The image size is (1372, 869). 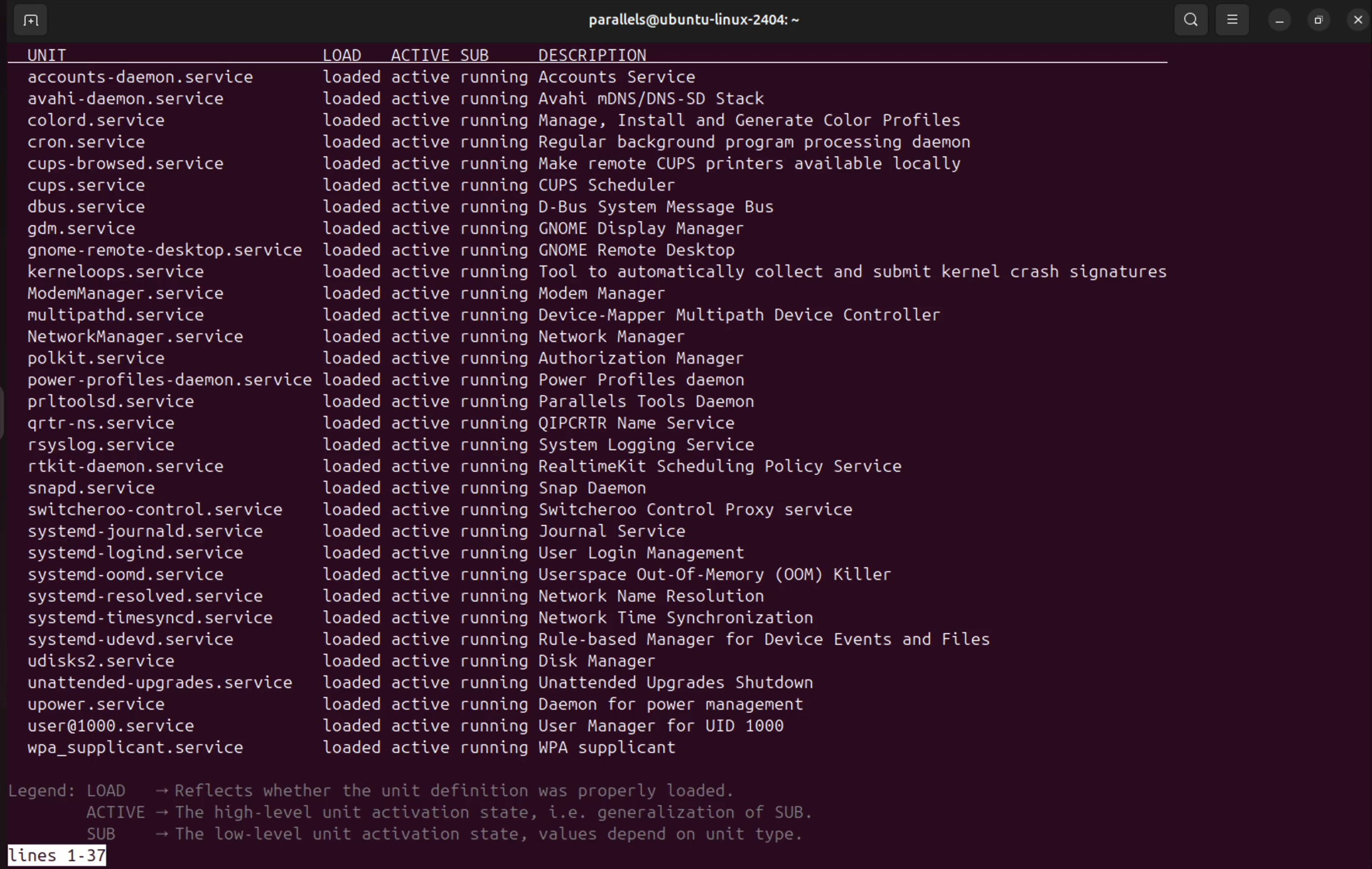 What do you see at coordinates (601, 252) in the screenshot?
I see `active running genome remote desktop` at bounding box center [601, 252].